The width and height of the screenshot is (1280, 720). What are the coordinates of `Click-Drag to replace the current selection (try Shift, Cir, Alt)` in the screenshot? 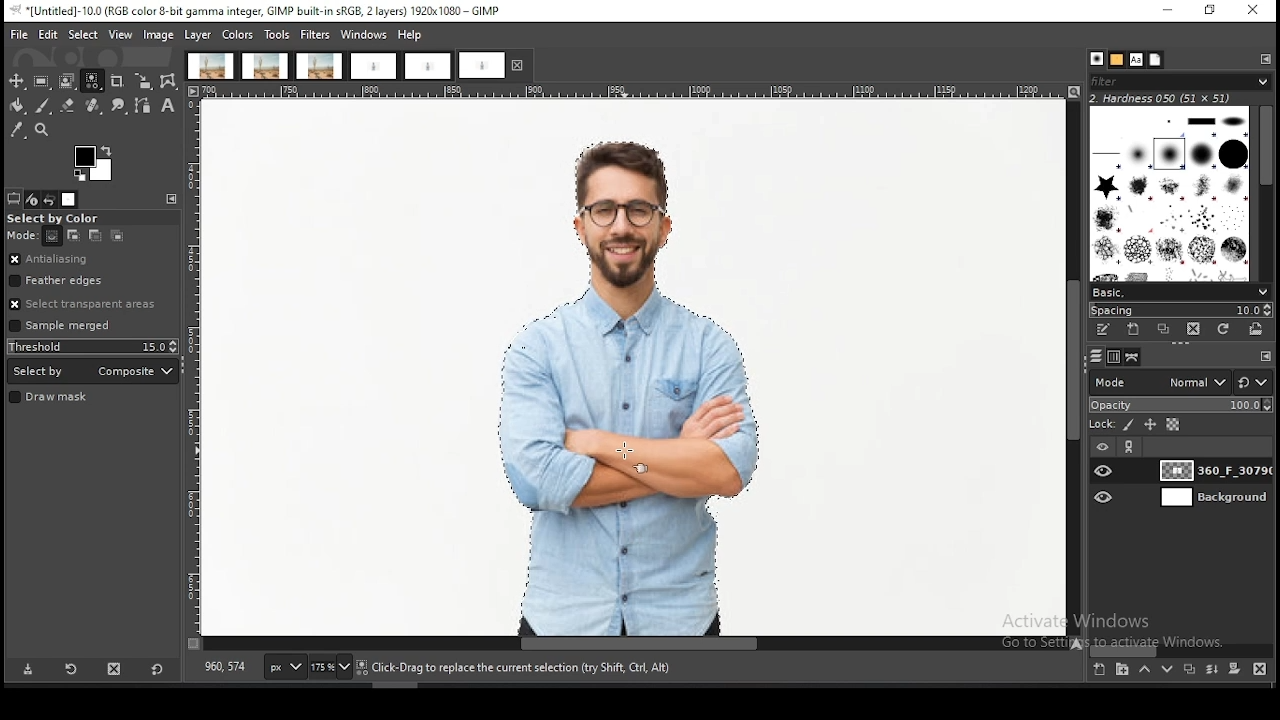 It's located at (518, 668).